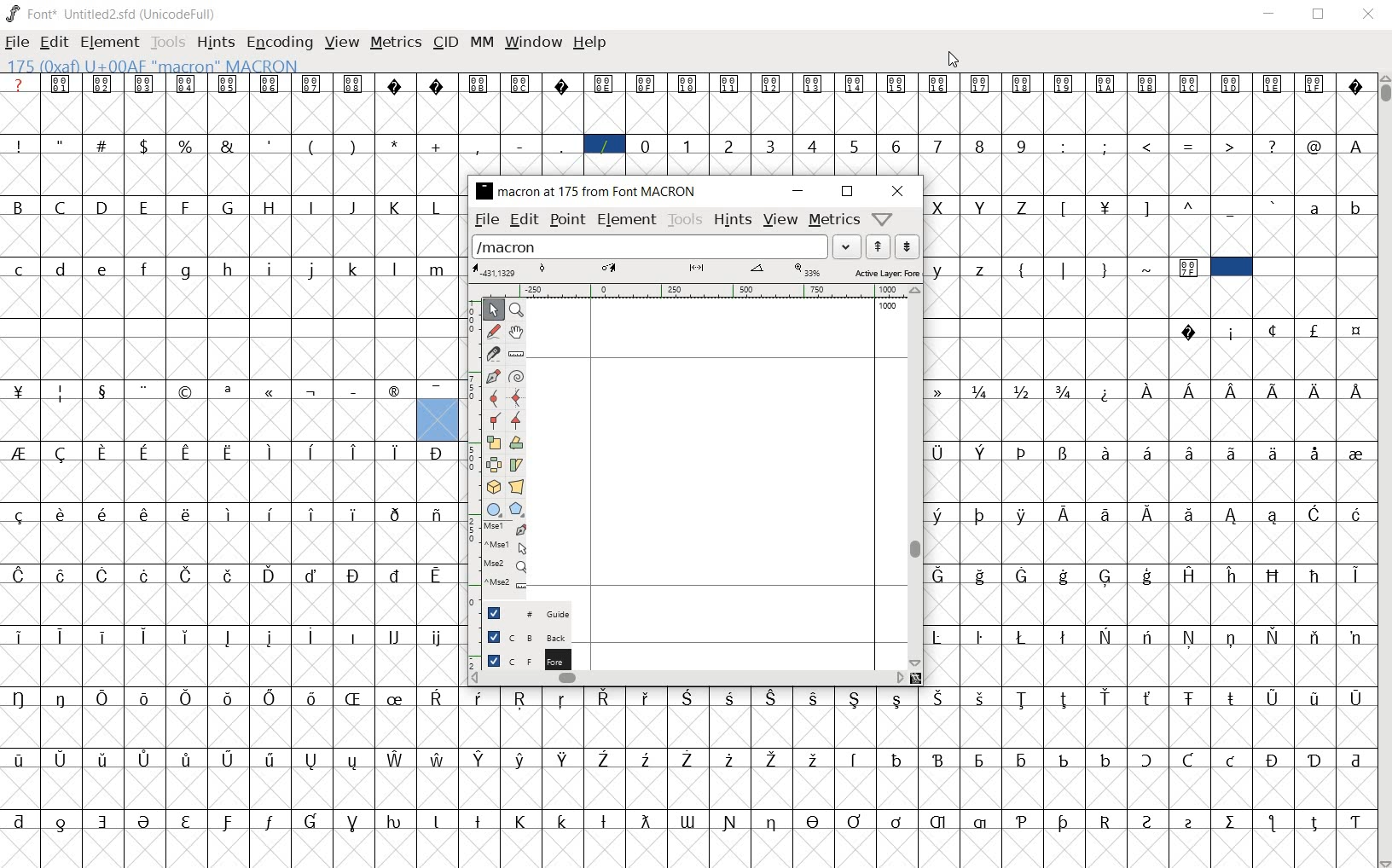 The image size is (1392, 868). I want to click on Symbol, so click(937, 451).